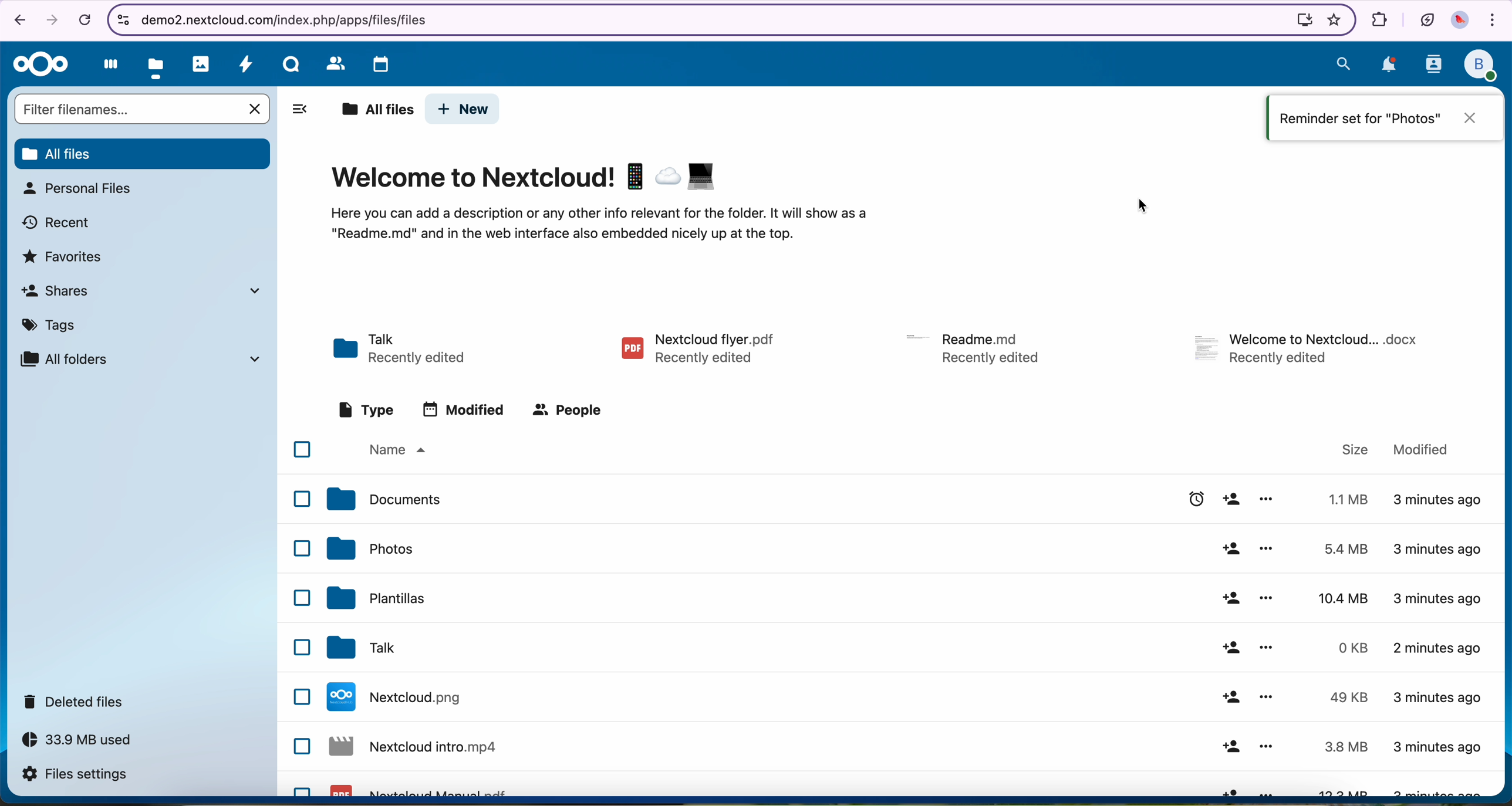  What do you see at coordinates (17, 22) in the screenshot?
I see `navigate back` at bounding box center [17, 22].